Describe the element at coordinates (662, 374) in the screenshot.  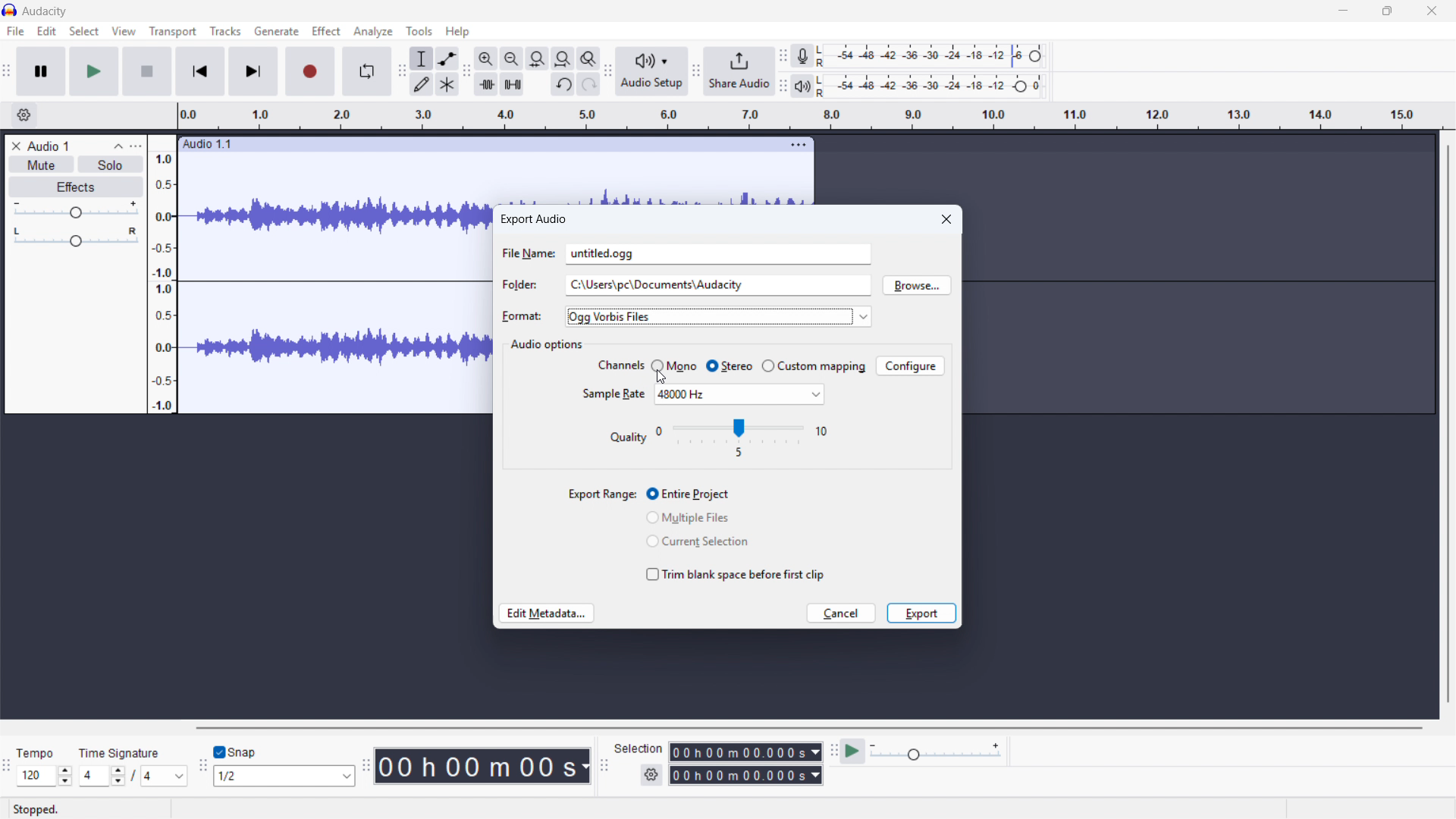
I see `Cursor ` at that location.